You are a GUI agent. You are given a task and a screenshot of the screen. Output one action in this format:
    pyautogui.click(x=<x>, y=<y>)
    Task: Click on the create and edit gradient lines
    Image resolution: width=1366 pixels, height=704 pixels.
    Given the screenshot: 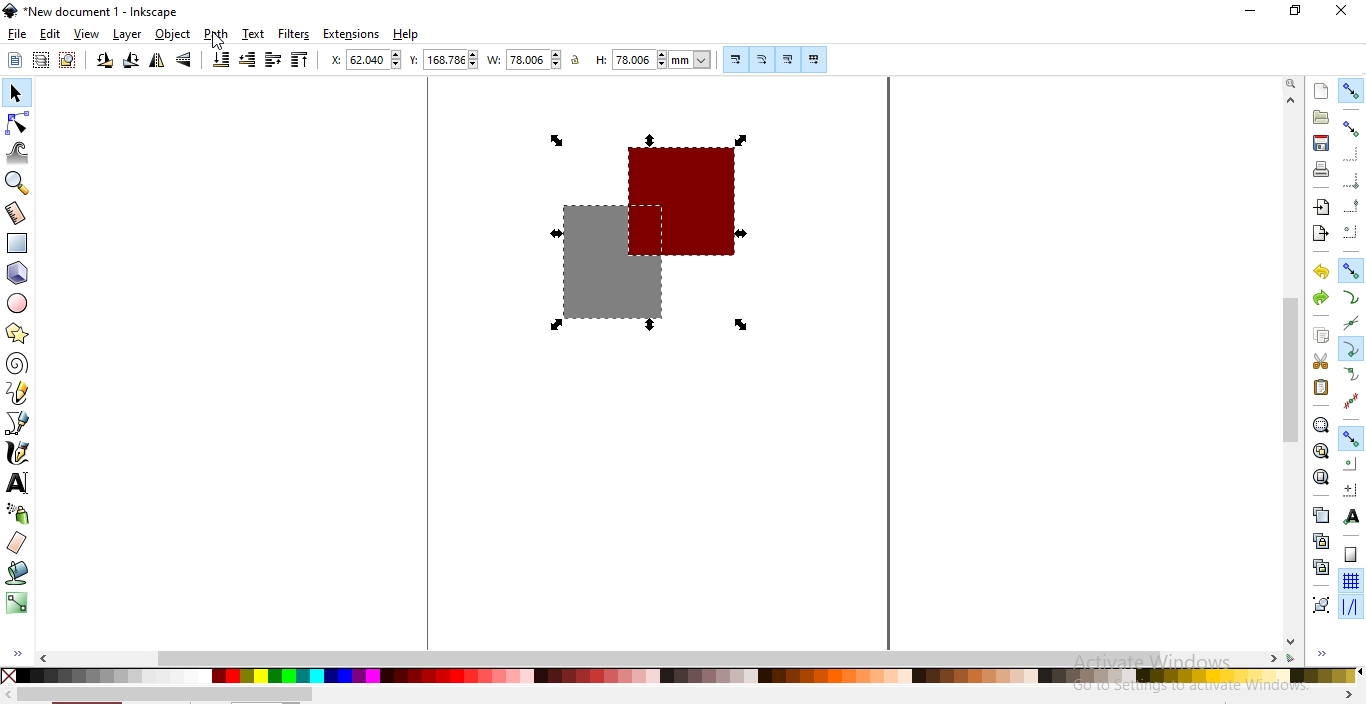 What is the action you would take?
    pyautogui.click(x=15, y=601)
    